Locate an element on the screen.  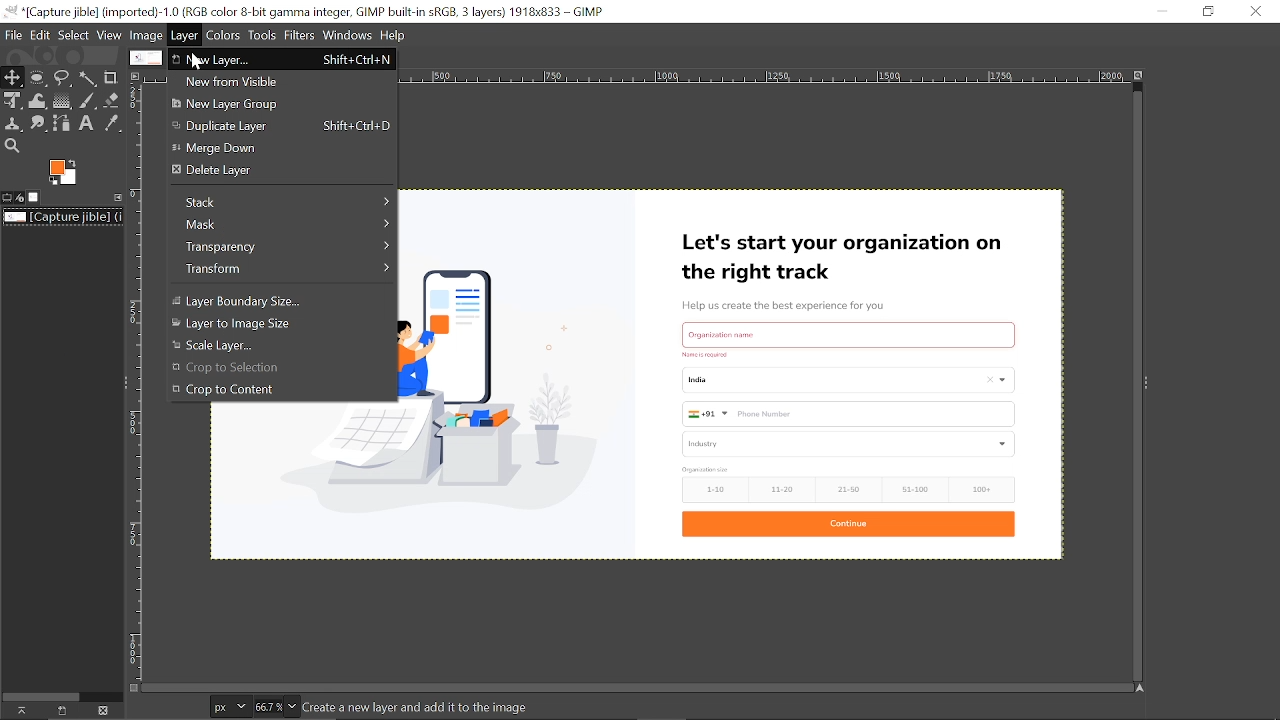
Units of the current image is located at coordinates (229, 707).